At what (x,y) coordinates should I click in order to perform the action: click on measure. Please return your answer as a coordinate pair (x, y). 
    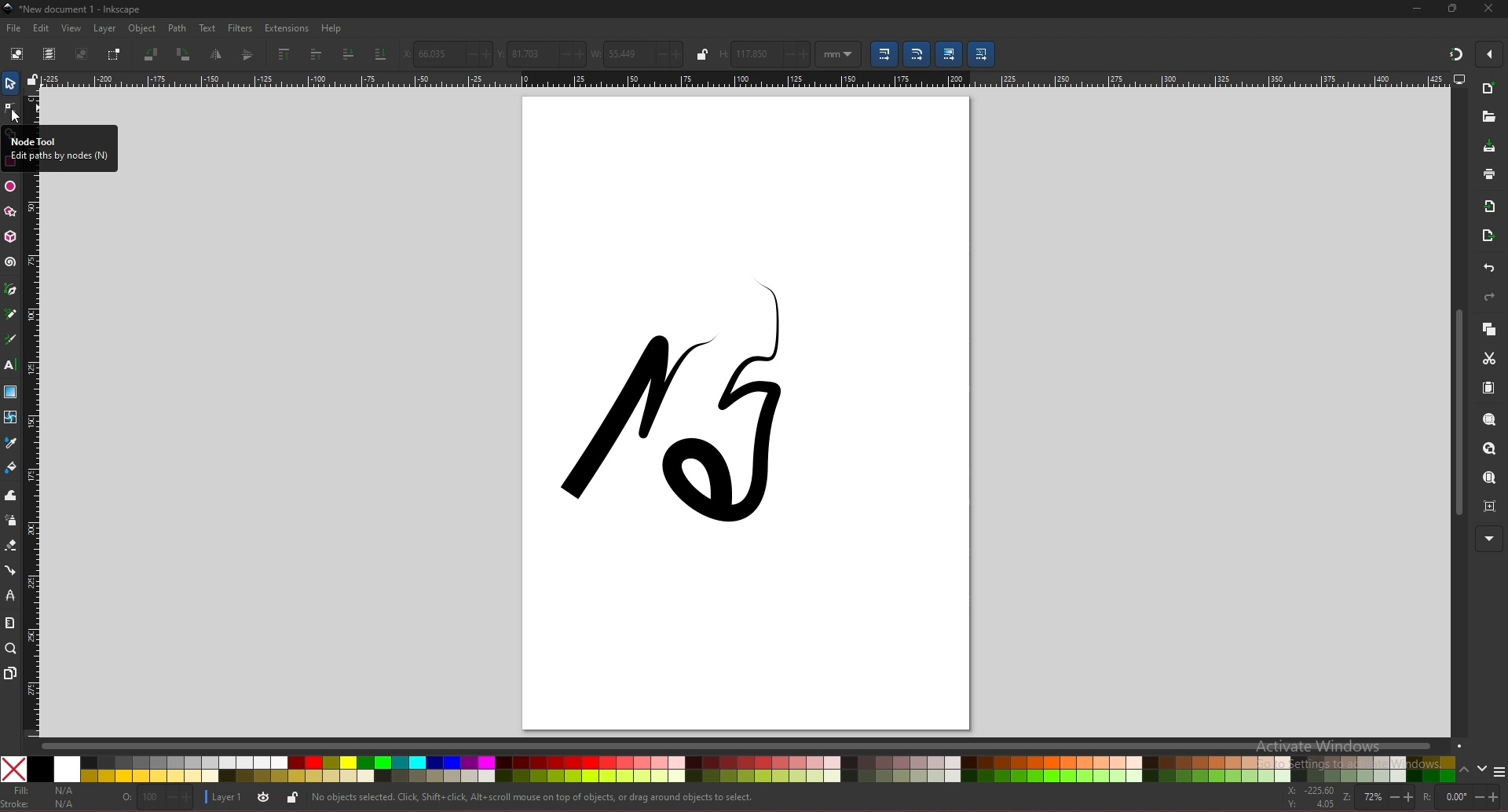
    Looking at the image, I should click on (10, 621).